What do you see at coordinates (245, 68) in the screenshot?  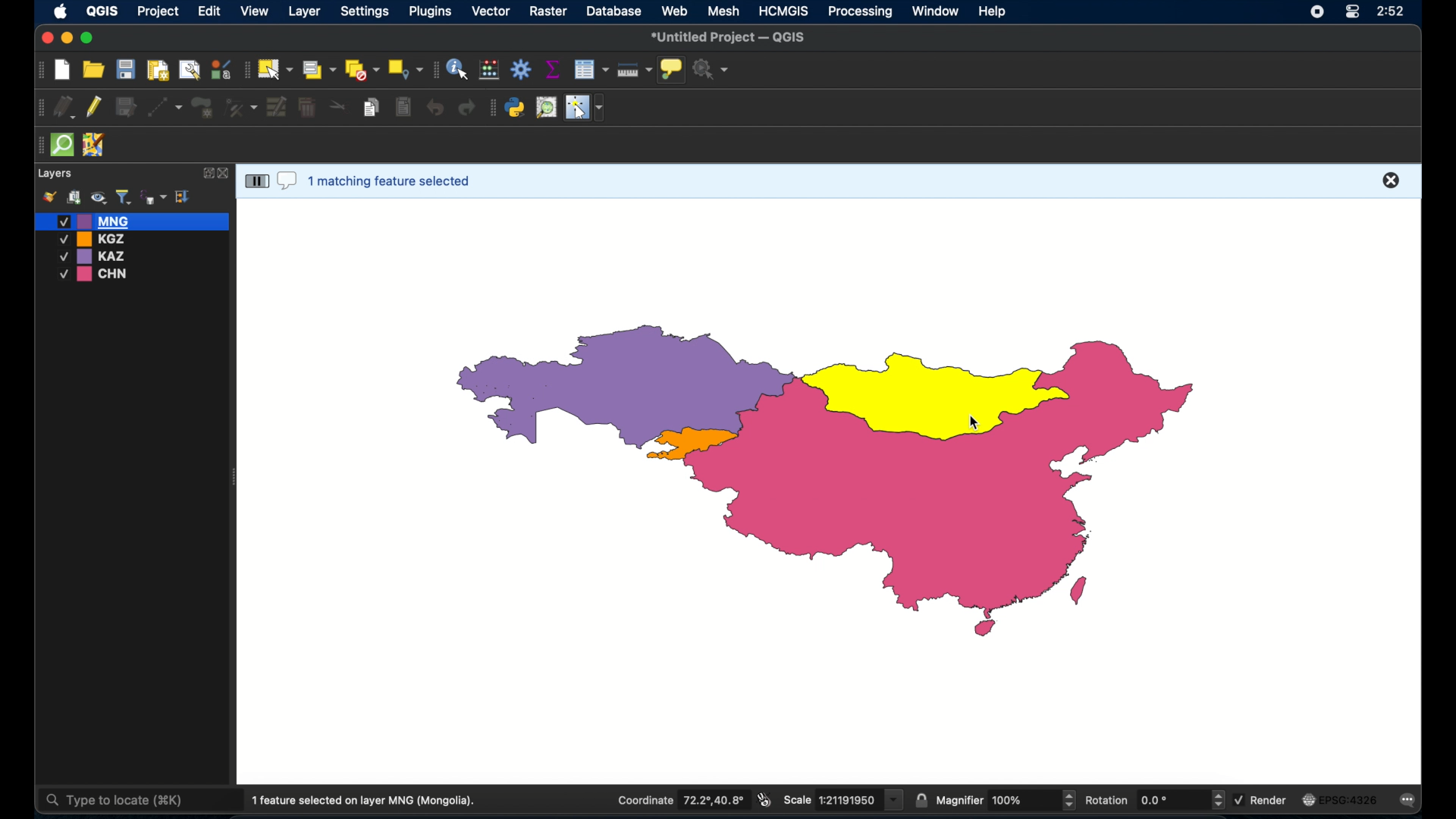 I see `selection toolbar` at bounding box center [245, 68].